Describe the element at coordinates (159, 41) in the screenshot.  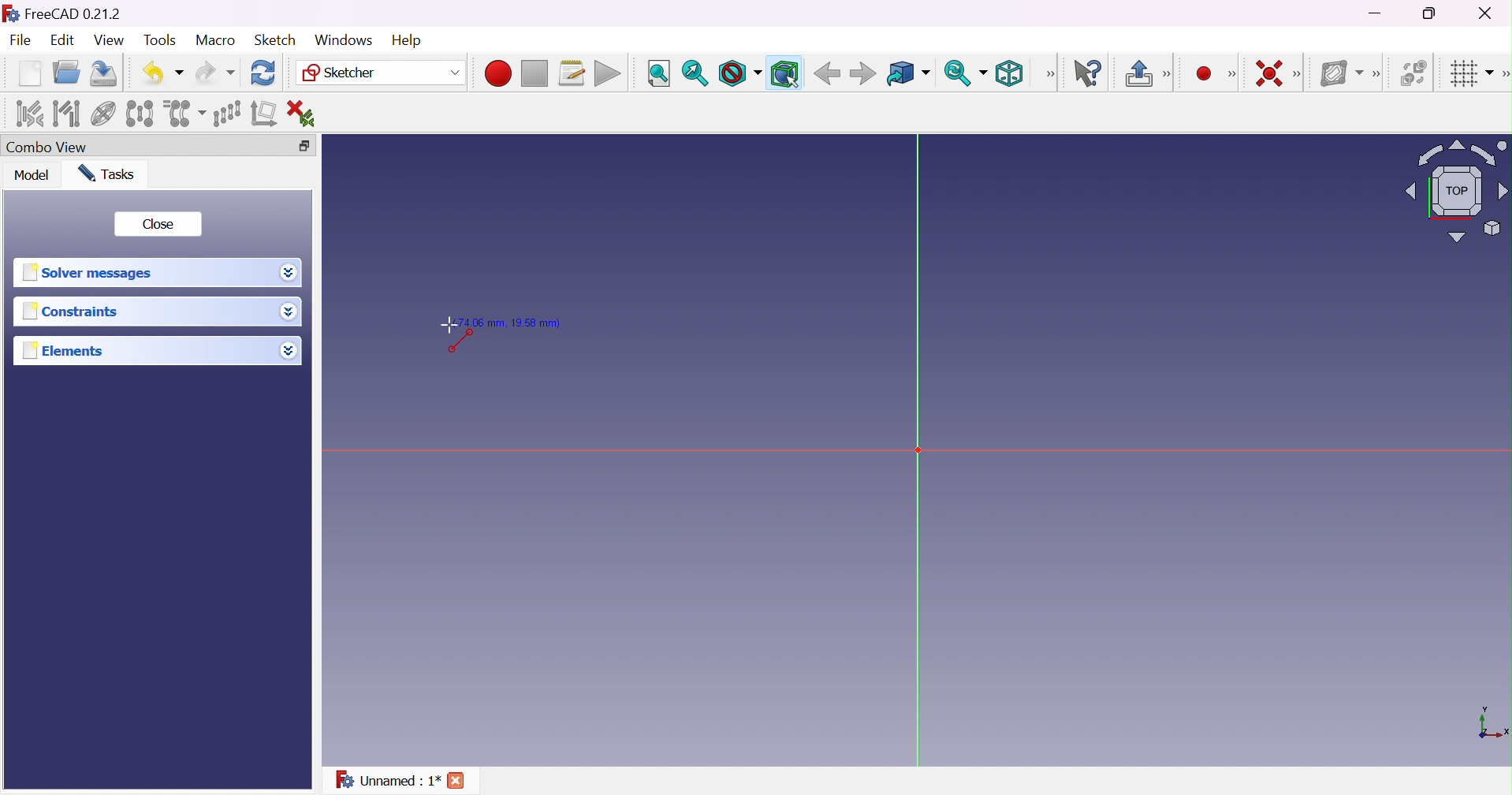
I see `Tools` at that location.